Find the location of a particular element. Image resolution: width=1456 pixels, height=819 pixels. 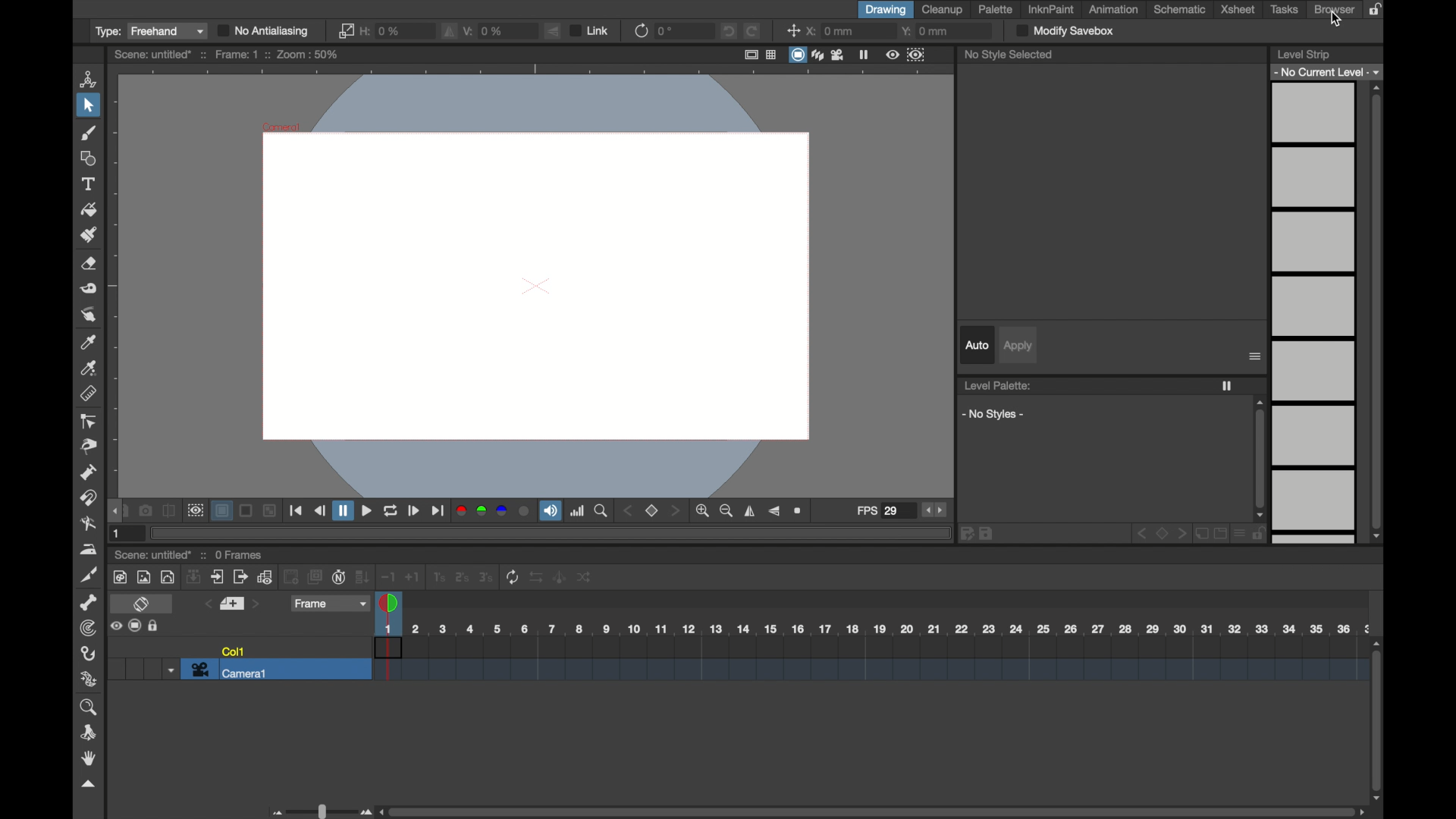

drag handle is located at coordinates (88, 784).